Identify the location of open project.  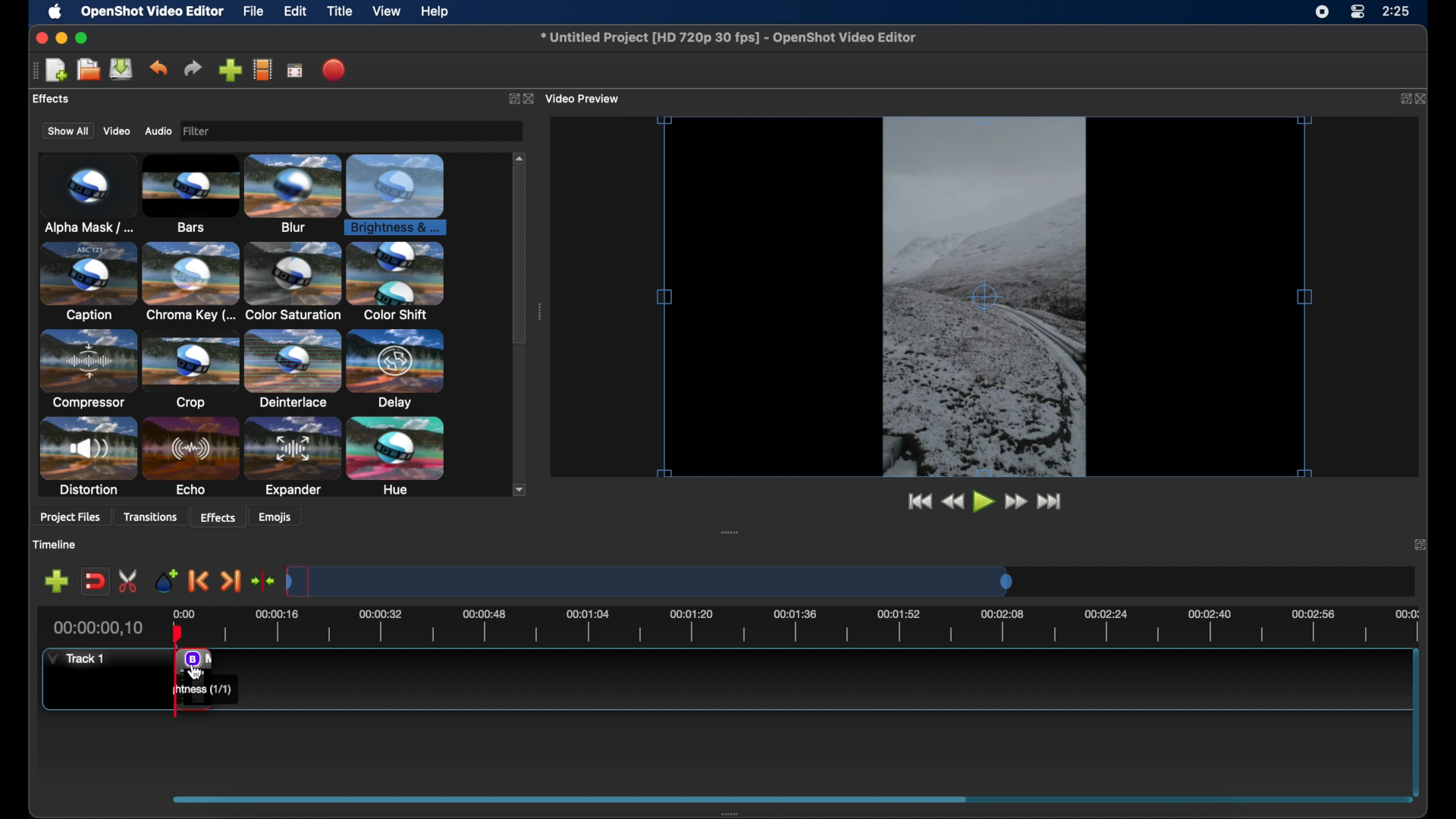
(88, 70).